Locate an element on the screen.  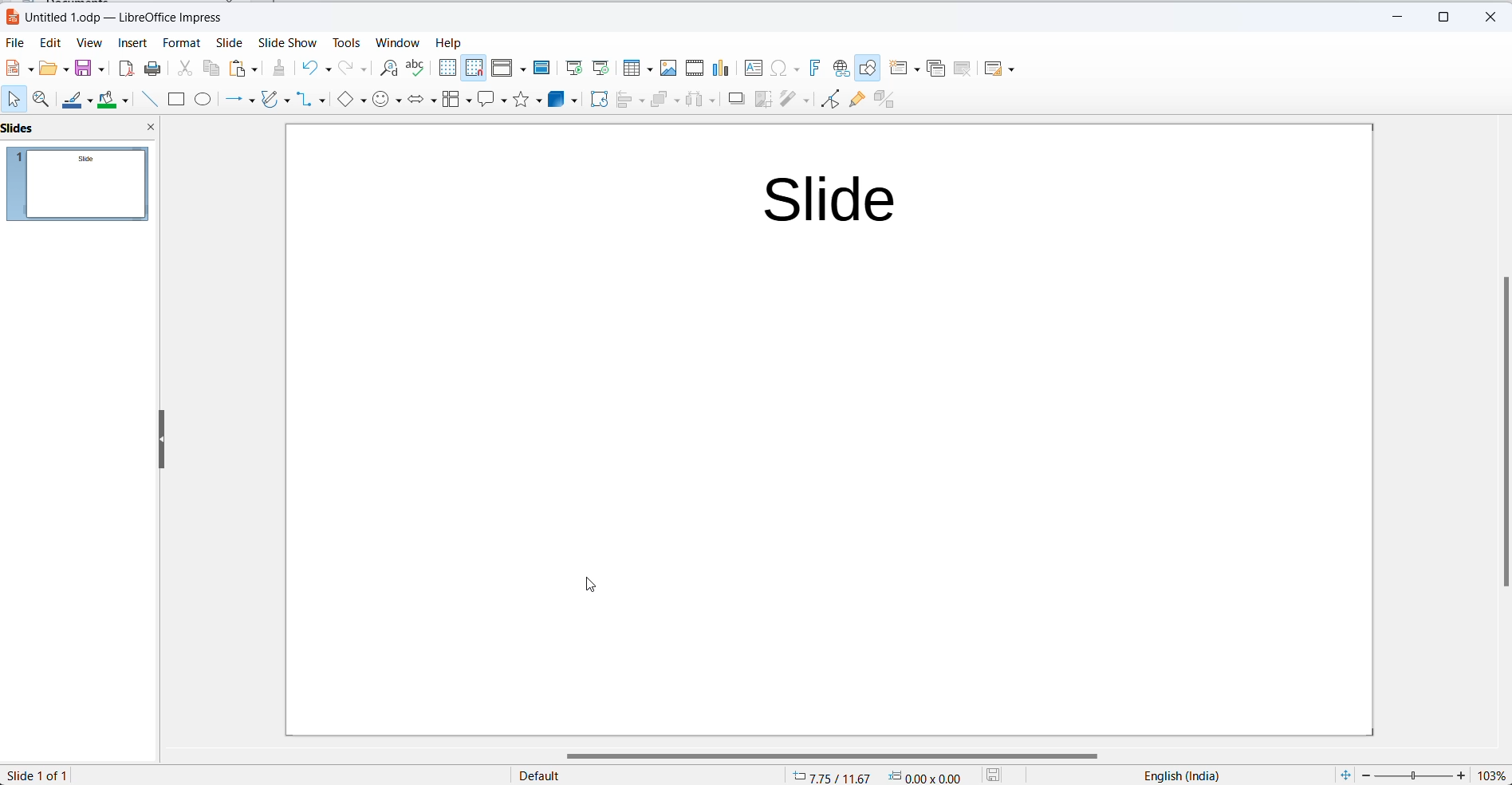
insert text is located at coordinates (748, 69).